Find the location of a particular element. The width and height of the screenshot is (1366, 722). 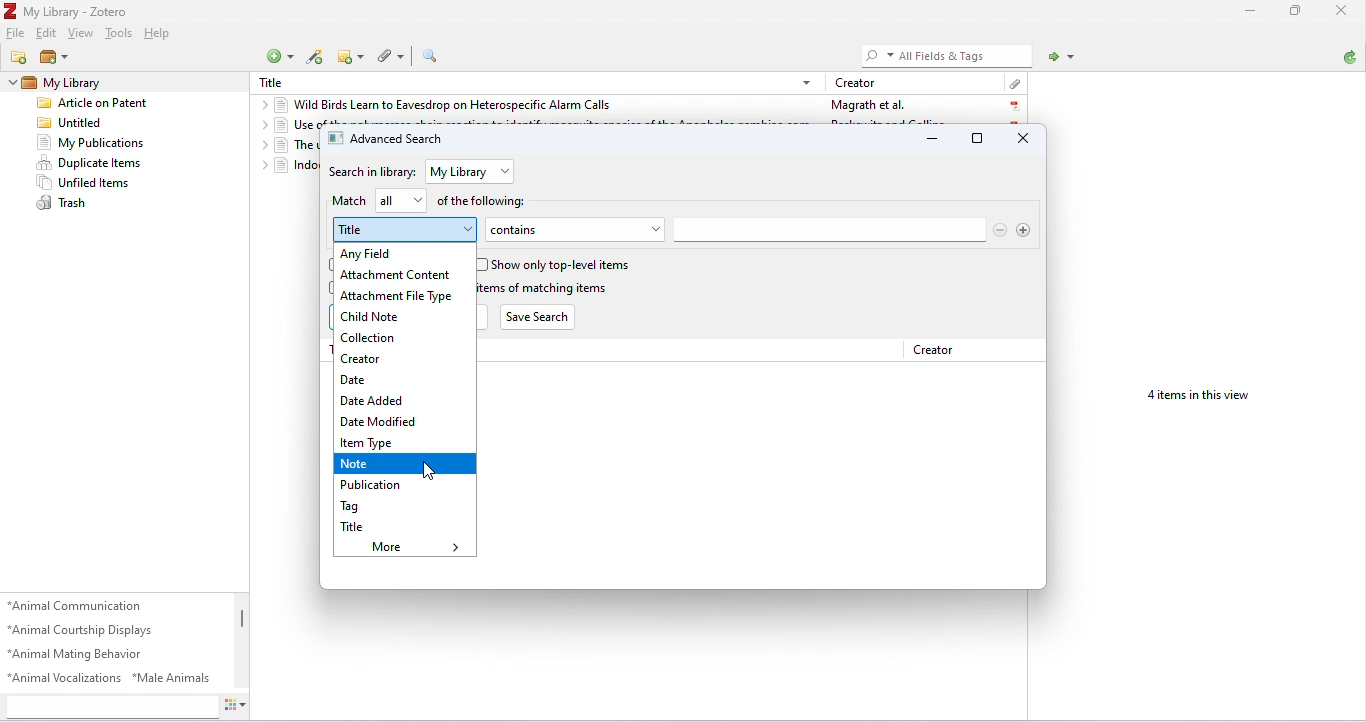

Title is located at coordinates (275, 81).